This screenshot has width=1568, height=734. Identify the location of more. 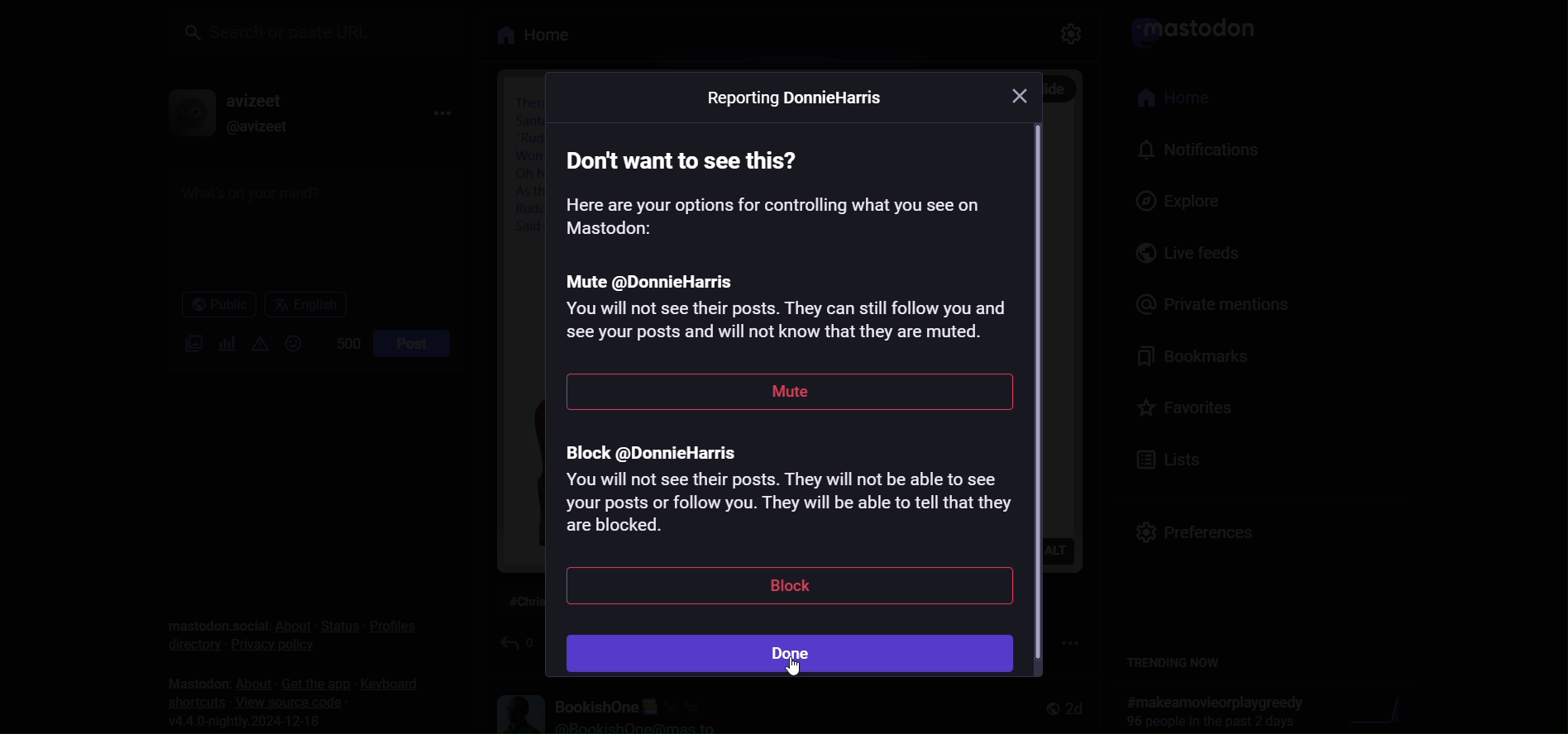
(443, 111).